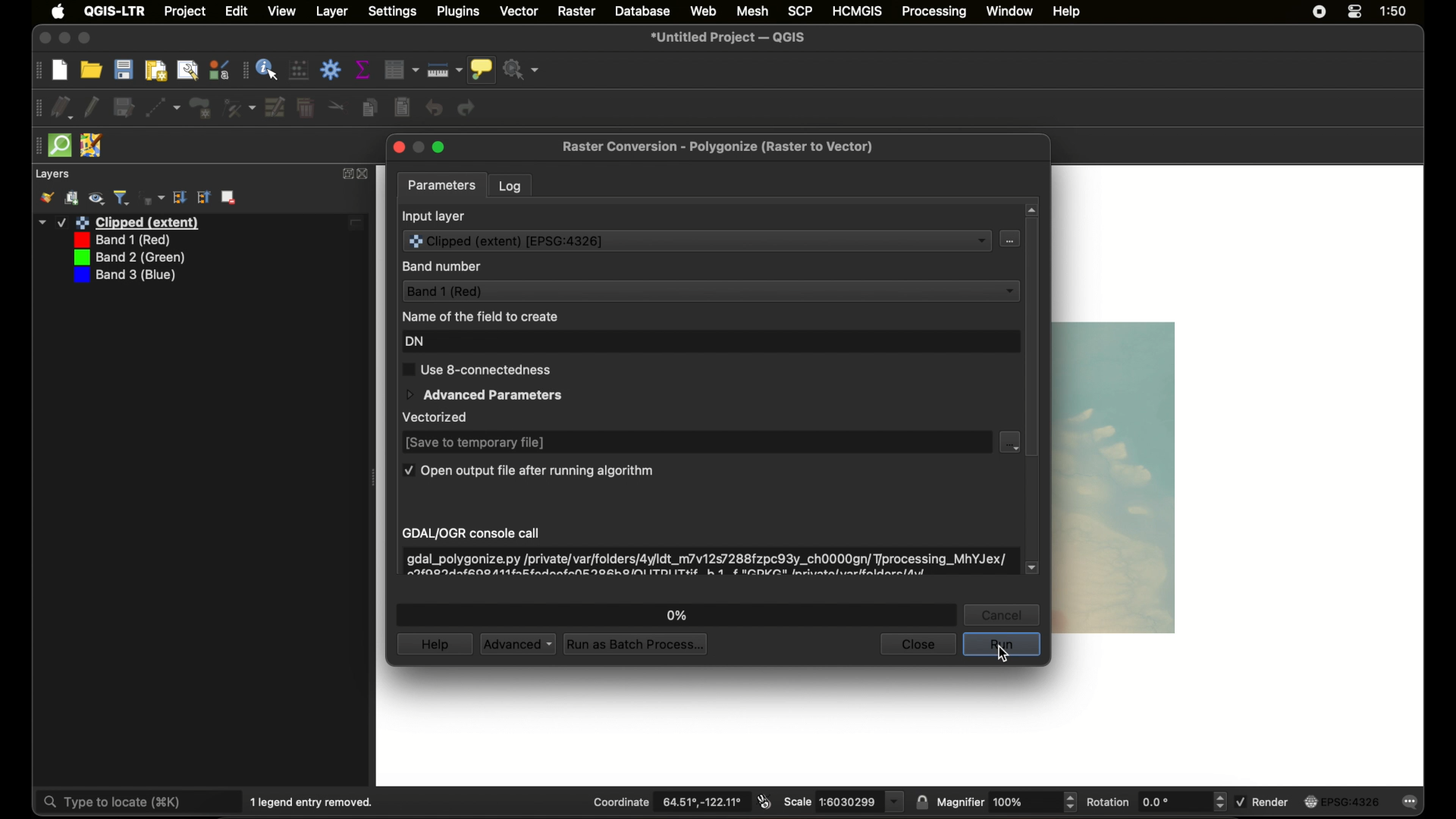  Describe the element at coordinates (917, 645) in the screenshot. I see `close` at that location.